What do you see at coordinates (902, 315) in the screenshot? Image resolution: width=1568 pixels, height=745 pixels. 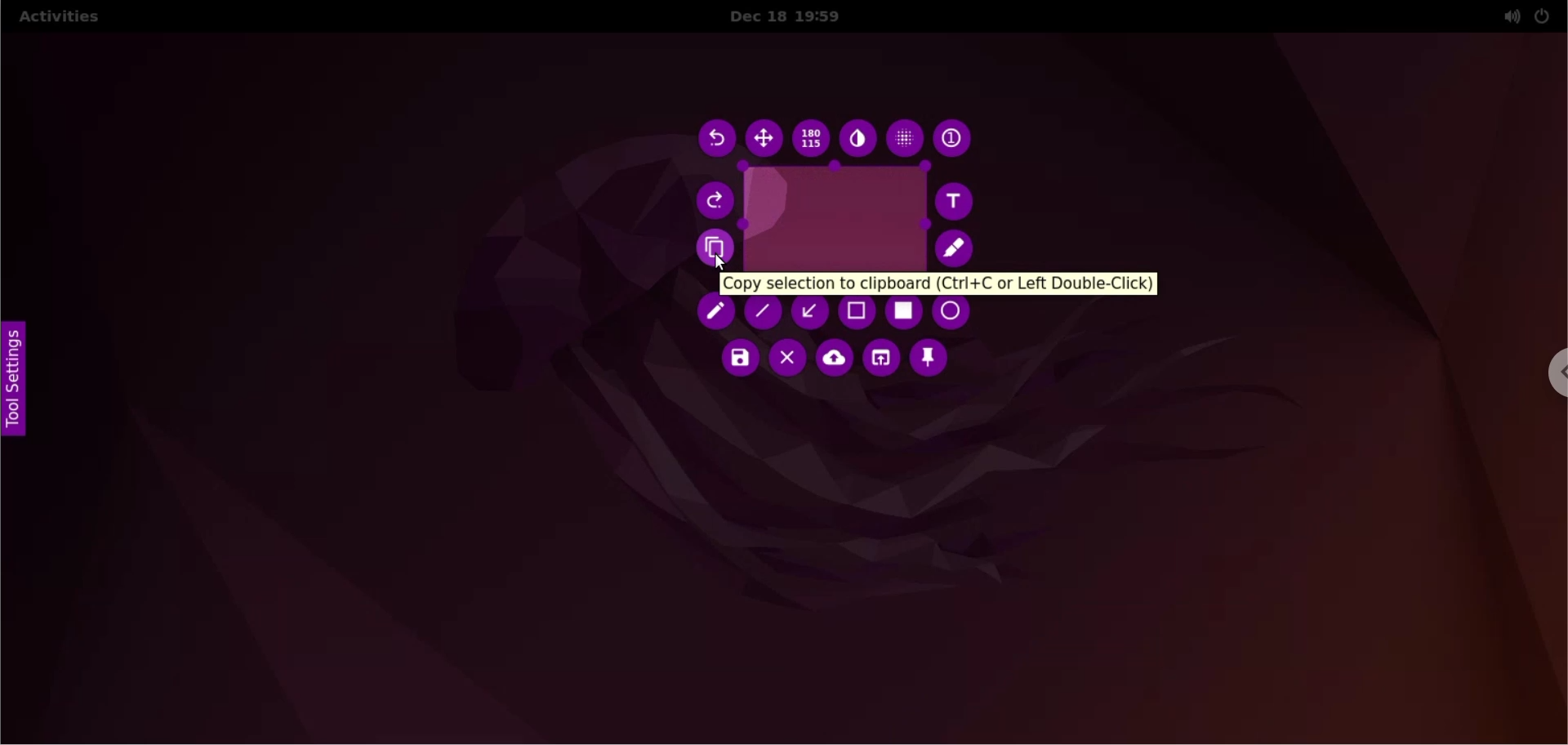 I see `selection as paint tool` at bounding box center [902, 315].